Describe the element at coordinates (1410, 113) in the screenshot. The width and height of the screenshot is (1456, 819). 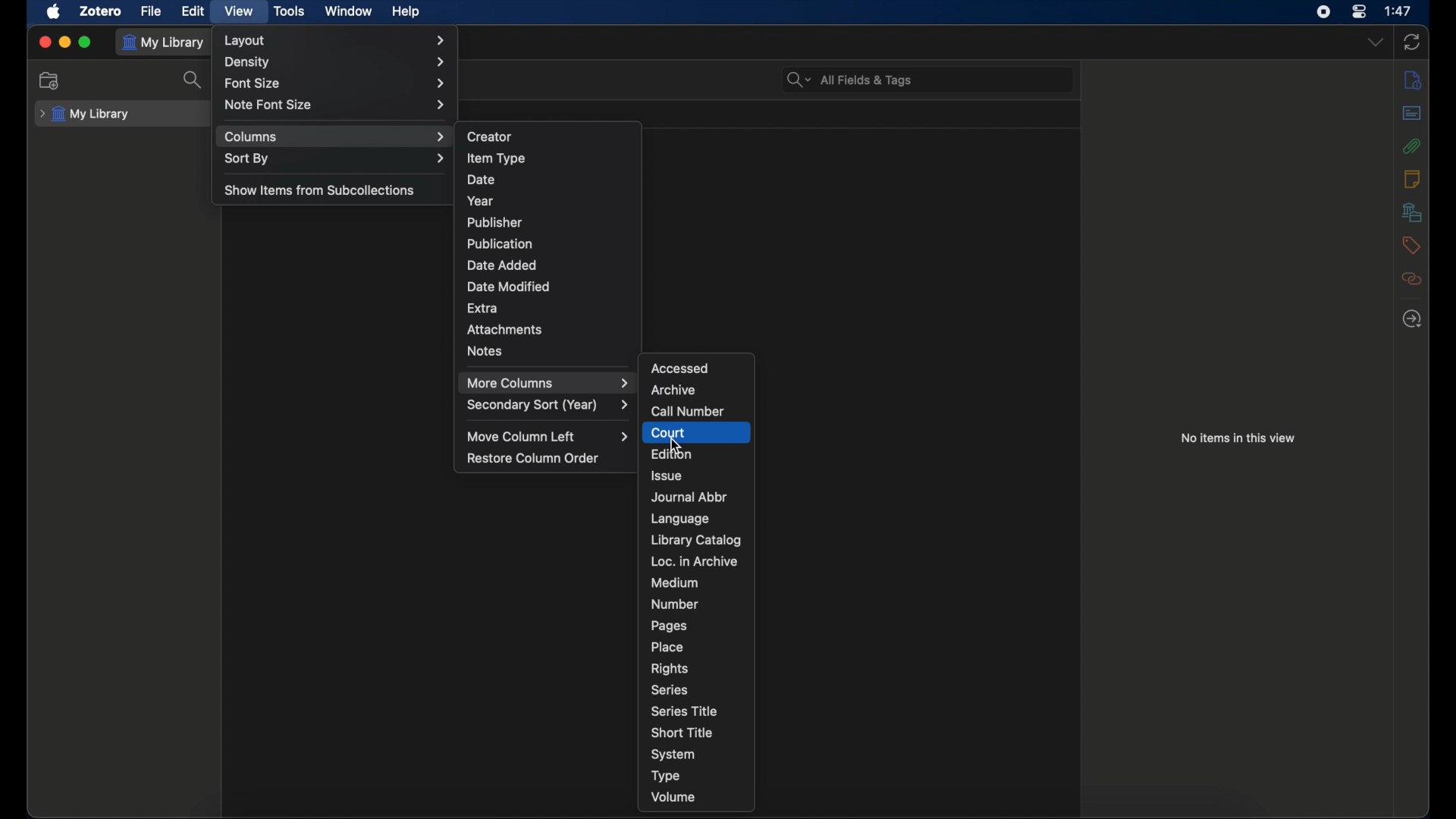
I see `abstract` at that location.